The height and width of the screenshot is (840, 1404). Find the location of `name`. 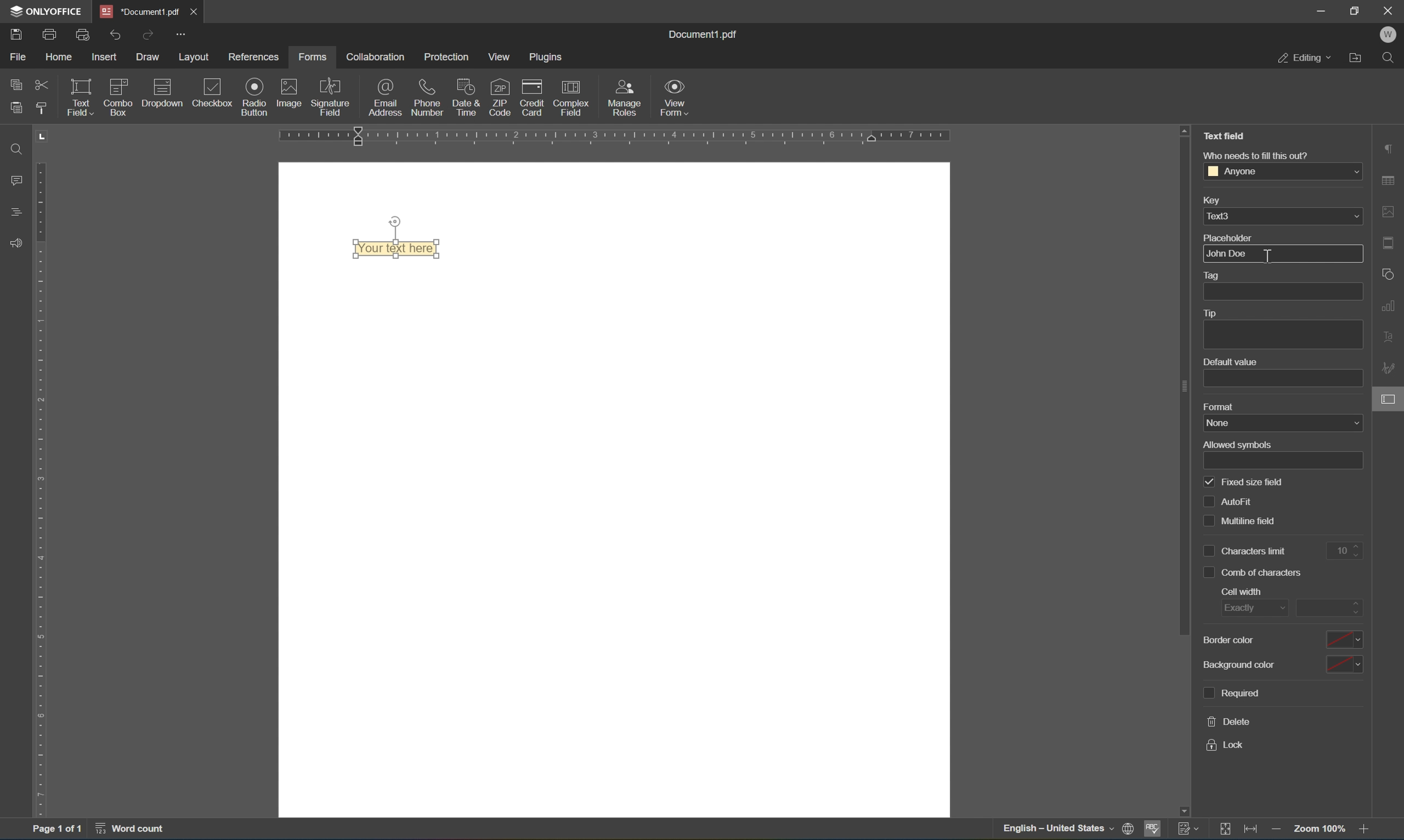

name is located at coordinates (1247, 421).